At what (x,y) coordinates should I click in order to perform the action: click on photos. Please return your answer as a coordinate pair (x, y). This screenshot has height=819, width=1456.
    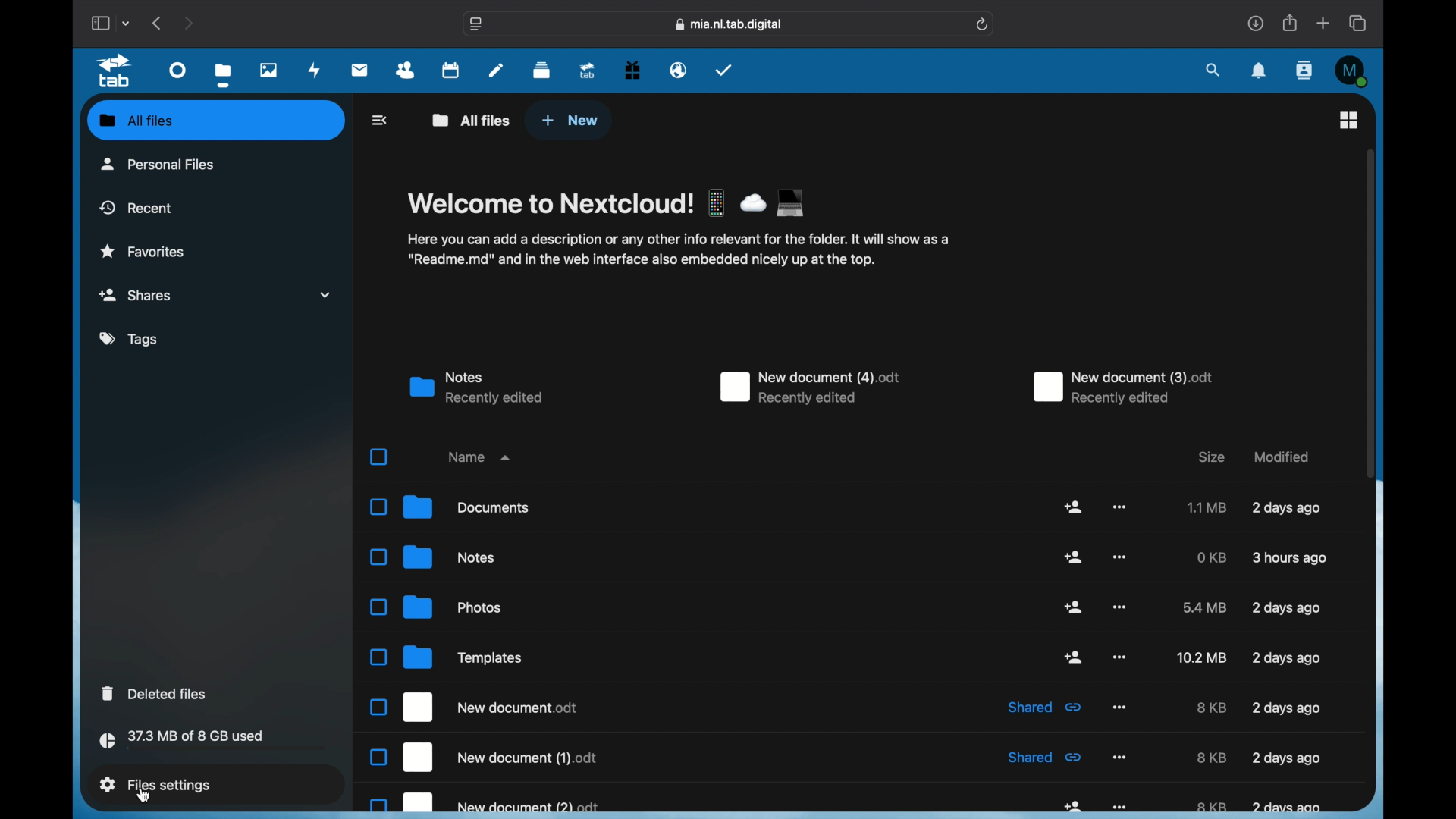
    Looking at the image, I should click on (437, 607).